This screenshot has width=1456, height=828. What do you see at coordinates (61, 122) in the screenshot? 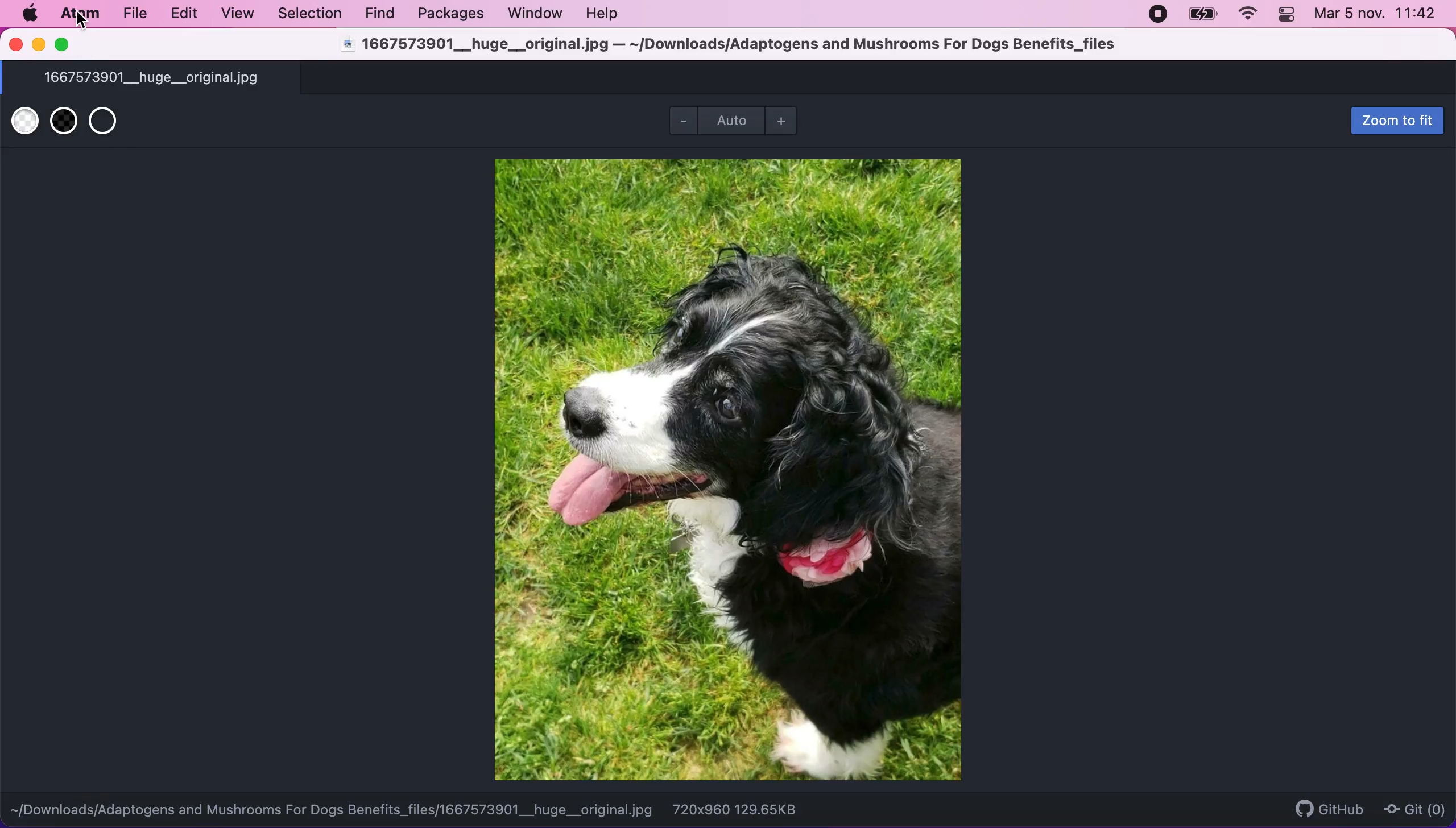
I see `use black transparent background` at bounding box center [61, 122].